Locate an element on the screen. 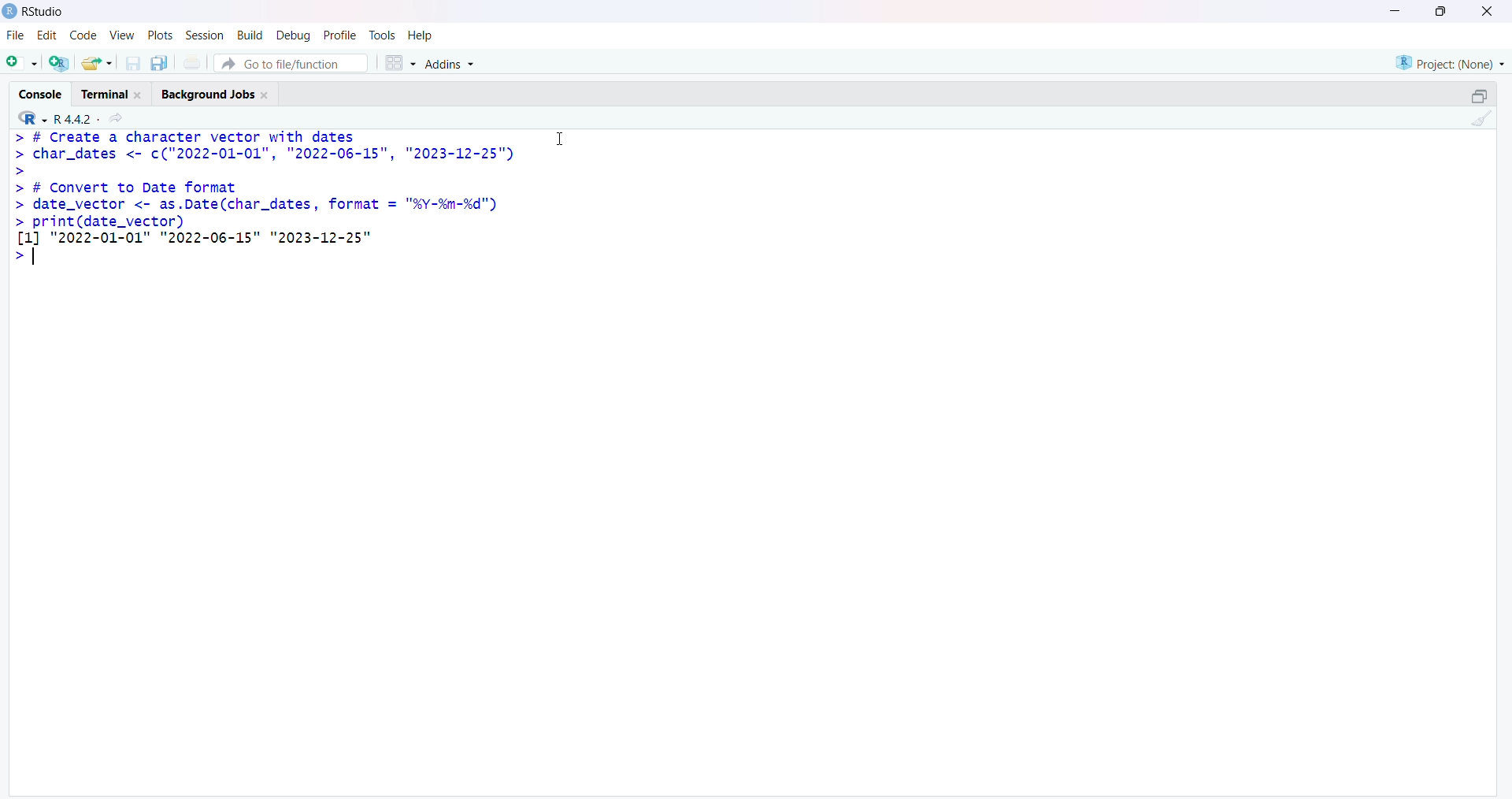  View is located at coordinates (121, 37).